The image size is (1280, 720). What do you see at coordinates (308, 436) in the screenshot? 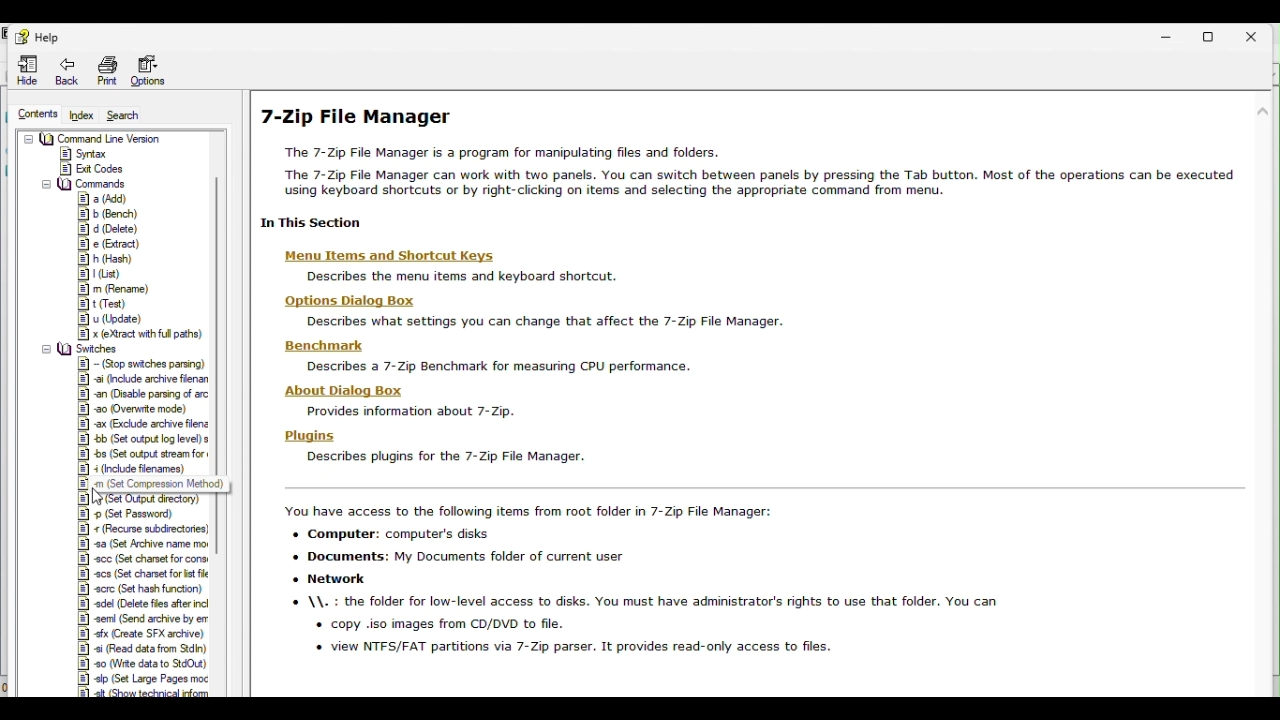
I see `plugins` at bounding box center [308, 436].